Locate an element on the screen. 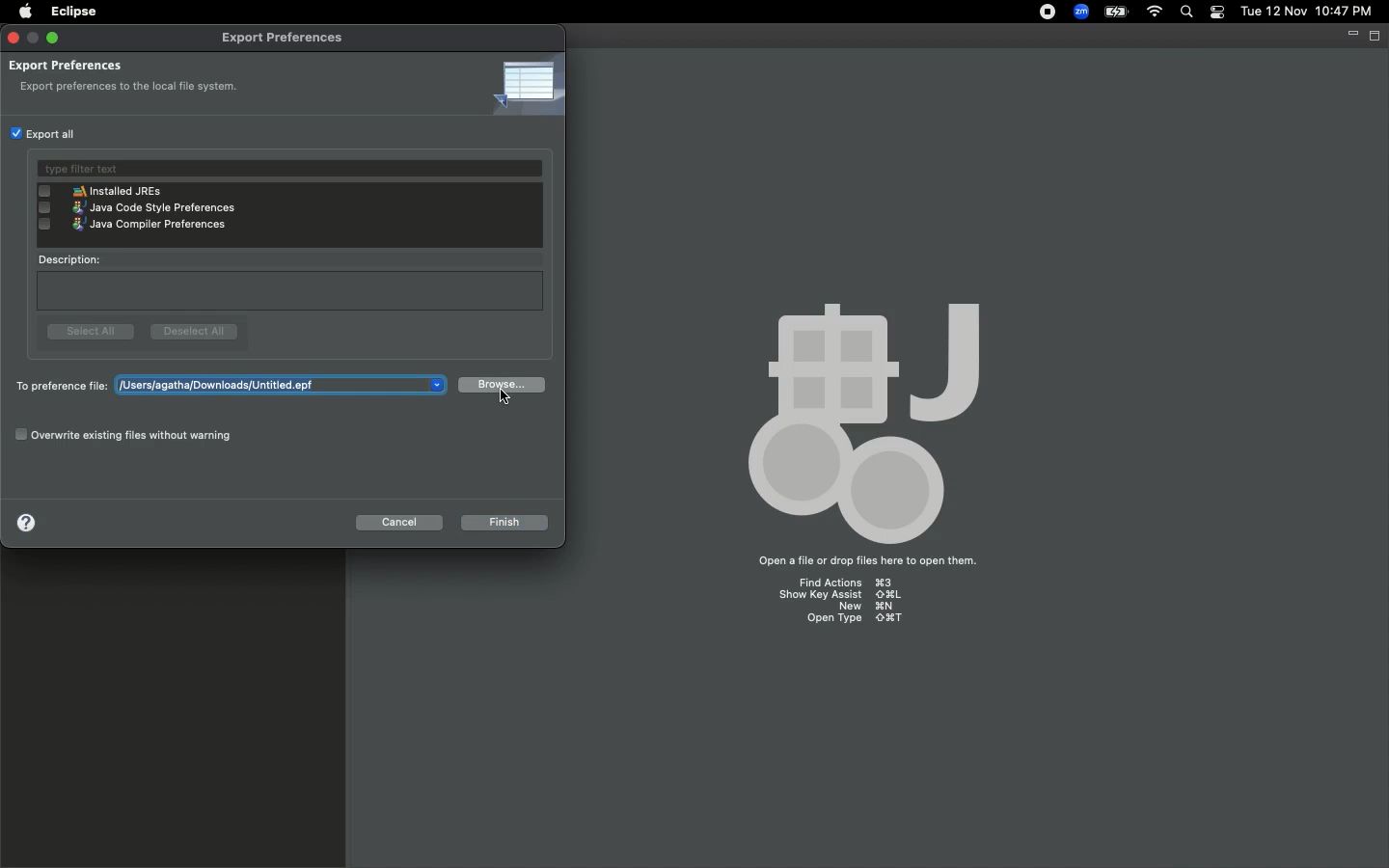  Help is located at coordinates (31, 523).